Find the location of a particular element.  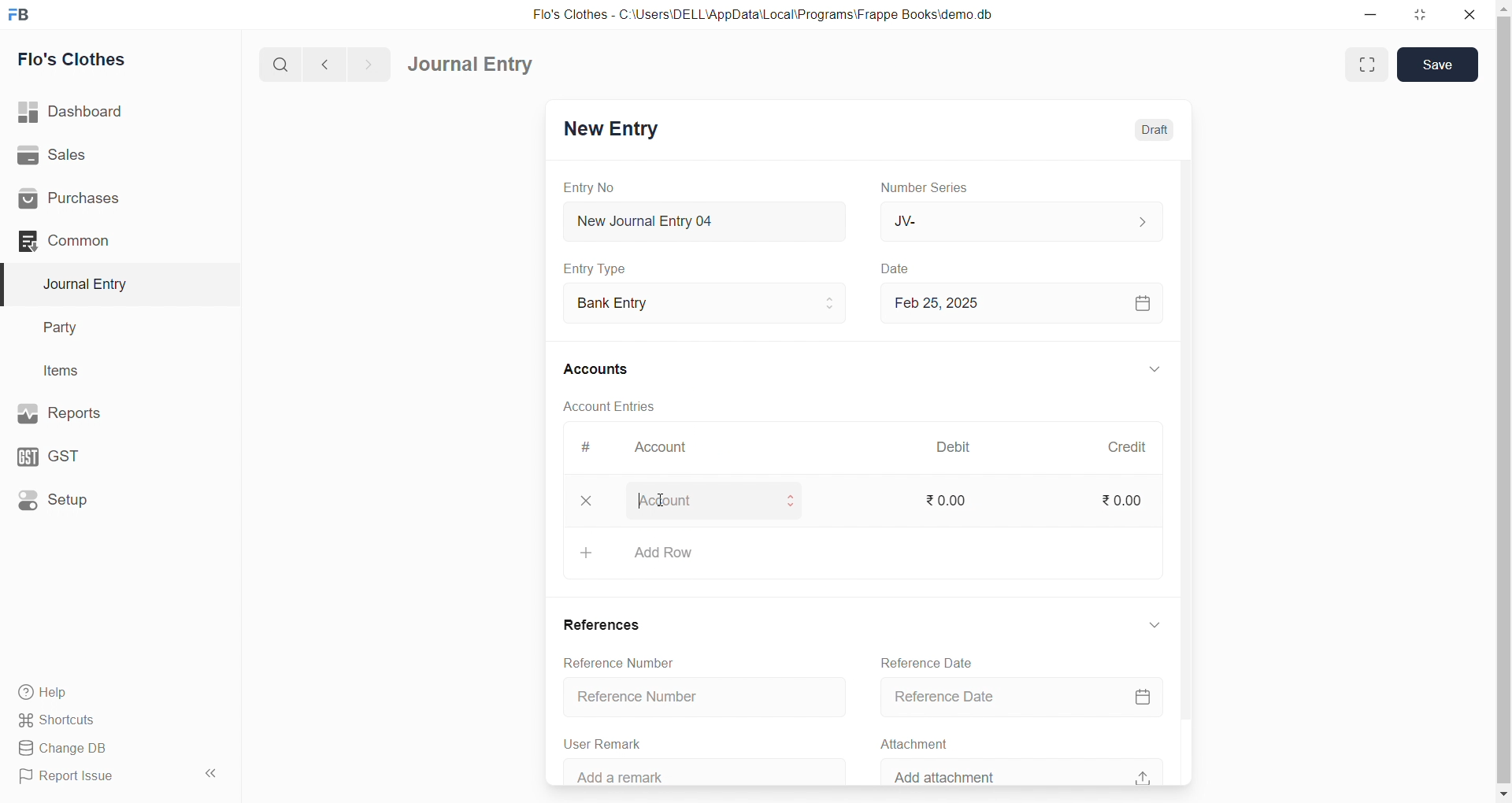

Party is located at coordinates (110, 328).